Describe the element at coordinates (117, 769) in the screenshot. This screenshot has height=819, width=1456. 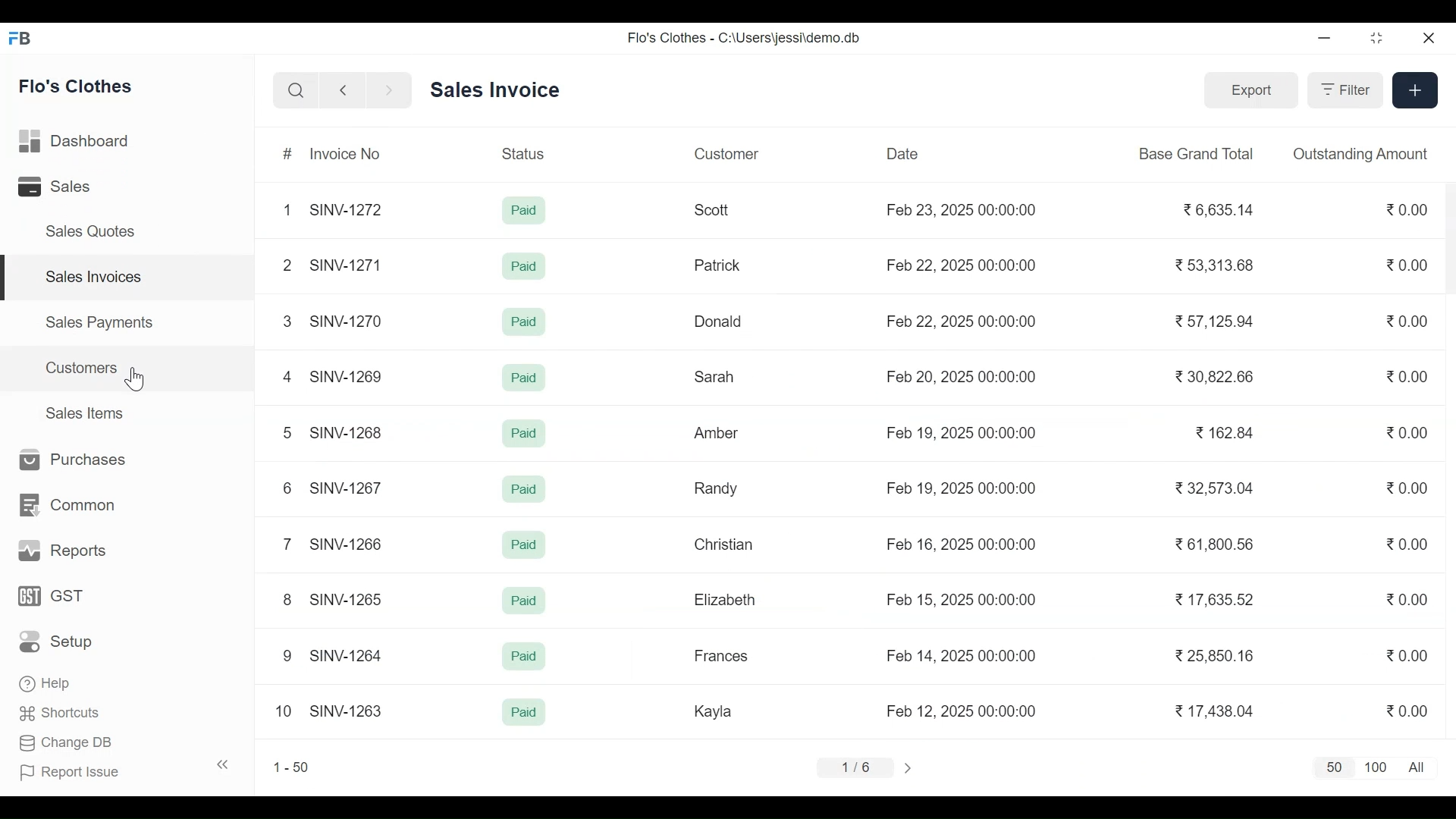
I see `Report Issue` at that location.